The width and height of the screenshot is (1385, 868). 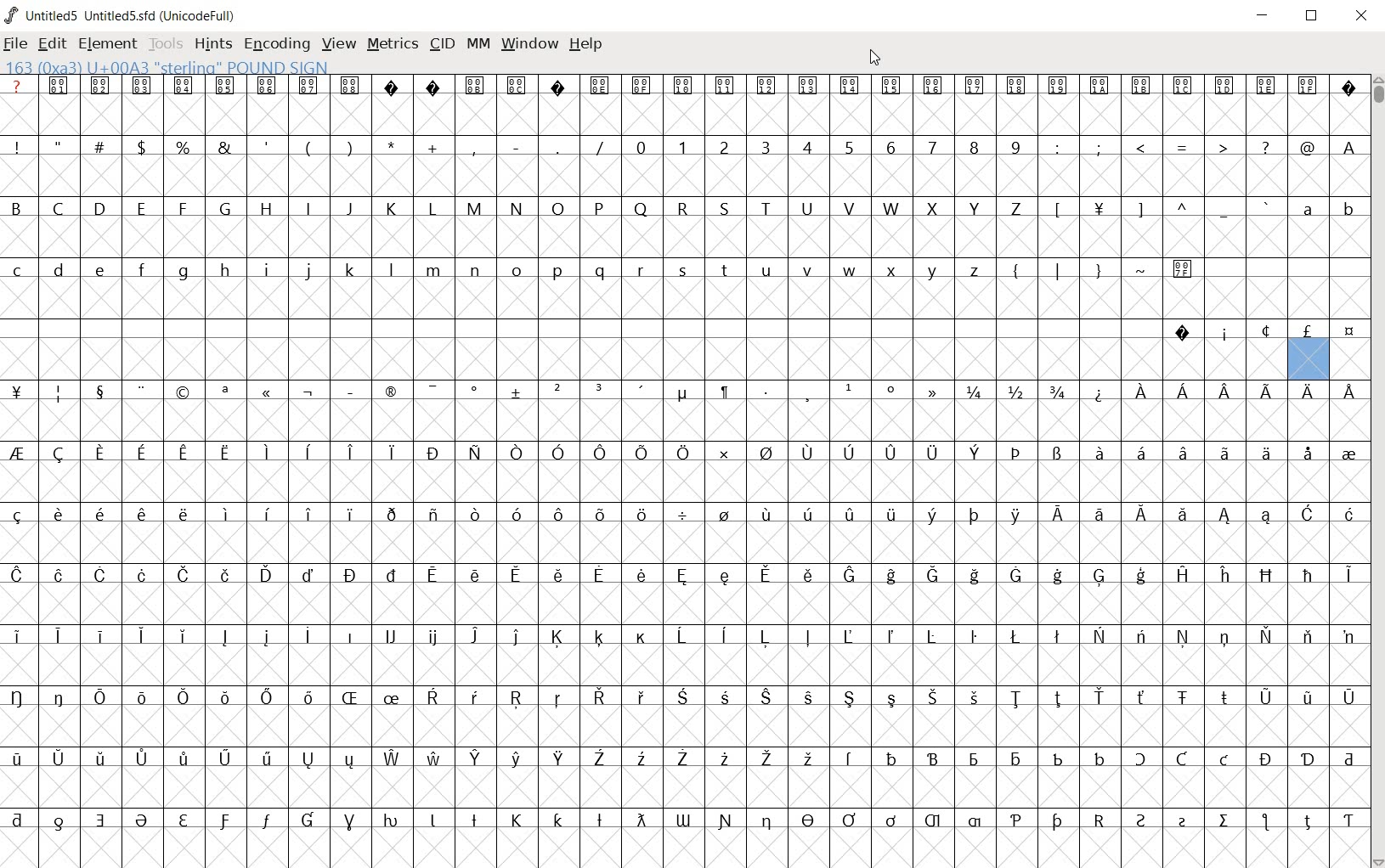 What do you see at coordinates (1015, 270) in the screenshot?
I see `{` at bounding box center [1015, 270].